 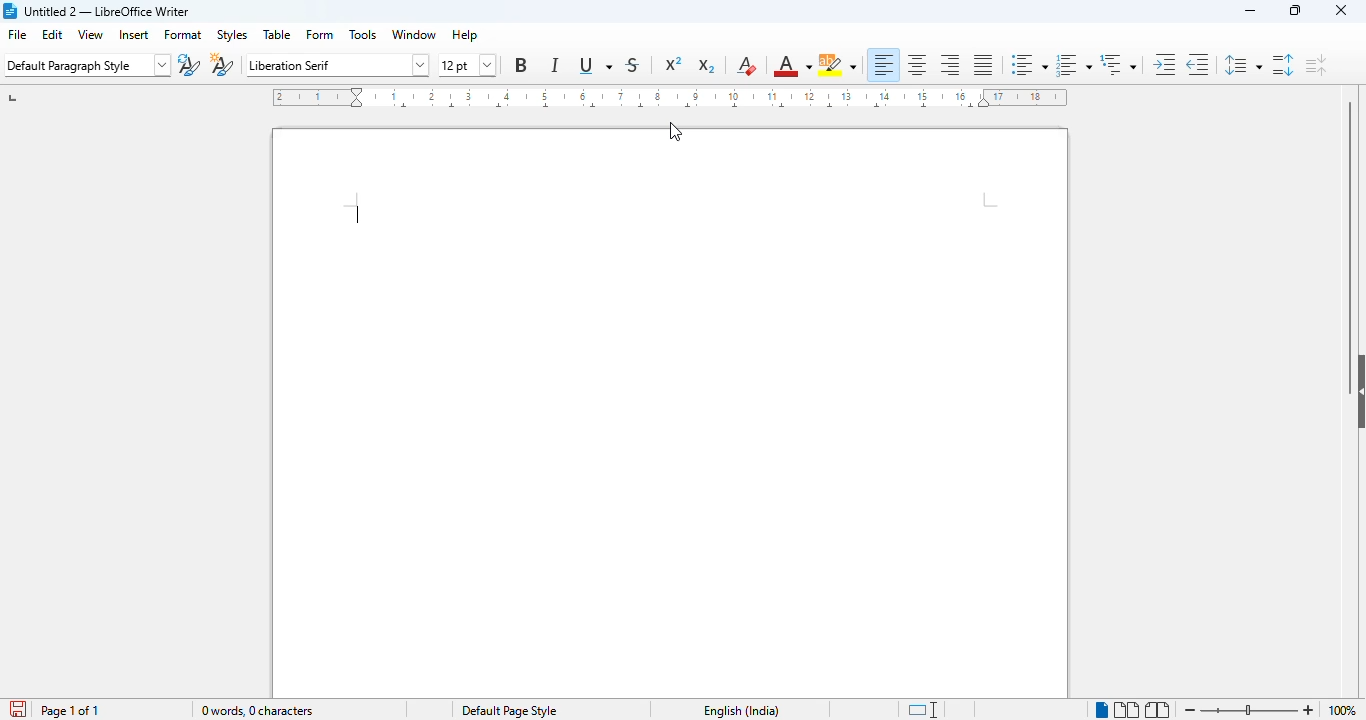 What do you see at coordinates (17, 34) in the screenshot?
I see `file` at bounding box center [17, 34].